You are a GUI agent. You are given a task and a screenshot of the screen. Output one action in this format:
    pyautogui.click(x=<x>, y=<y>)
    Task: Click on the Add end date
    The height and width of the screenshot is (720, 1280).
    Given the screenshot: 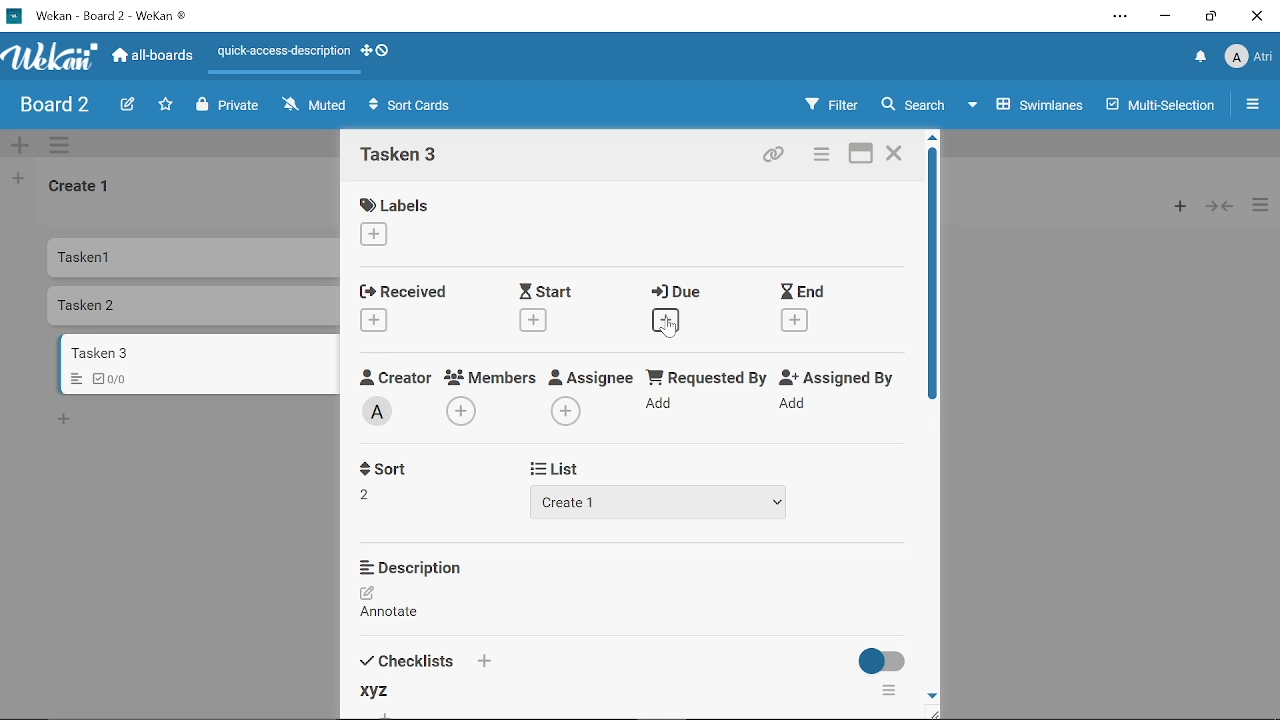 What is the action you would take?
    pyautogui.click(x=795, y=321)
    